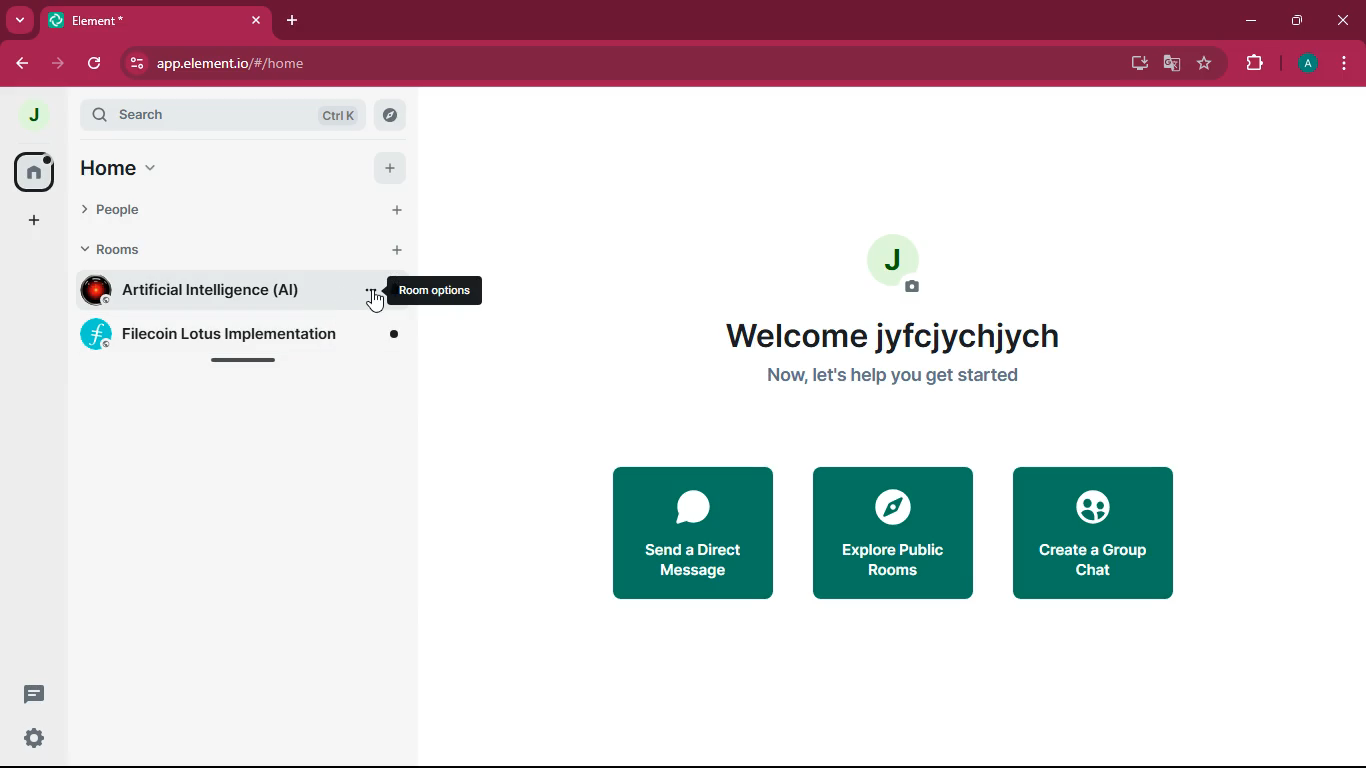  Describe the element at coordinates (400, 250) in the screenshot. I see `add rooms` at that location.